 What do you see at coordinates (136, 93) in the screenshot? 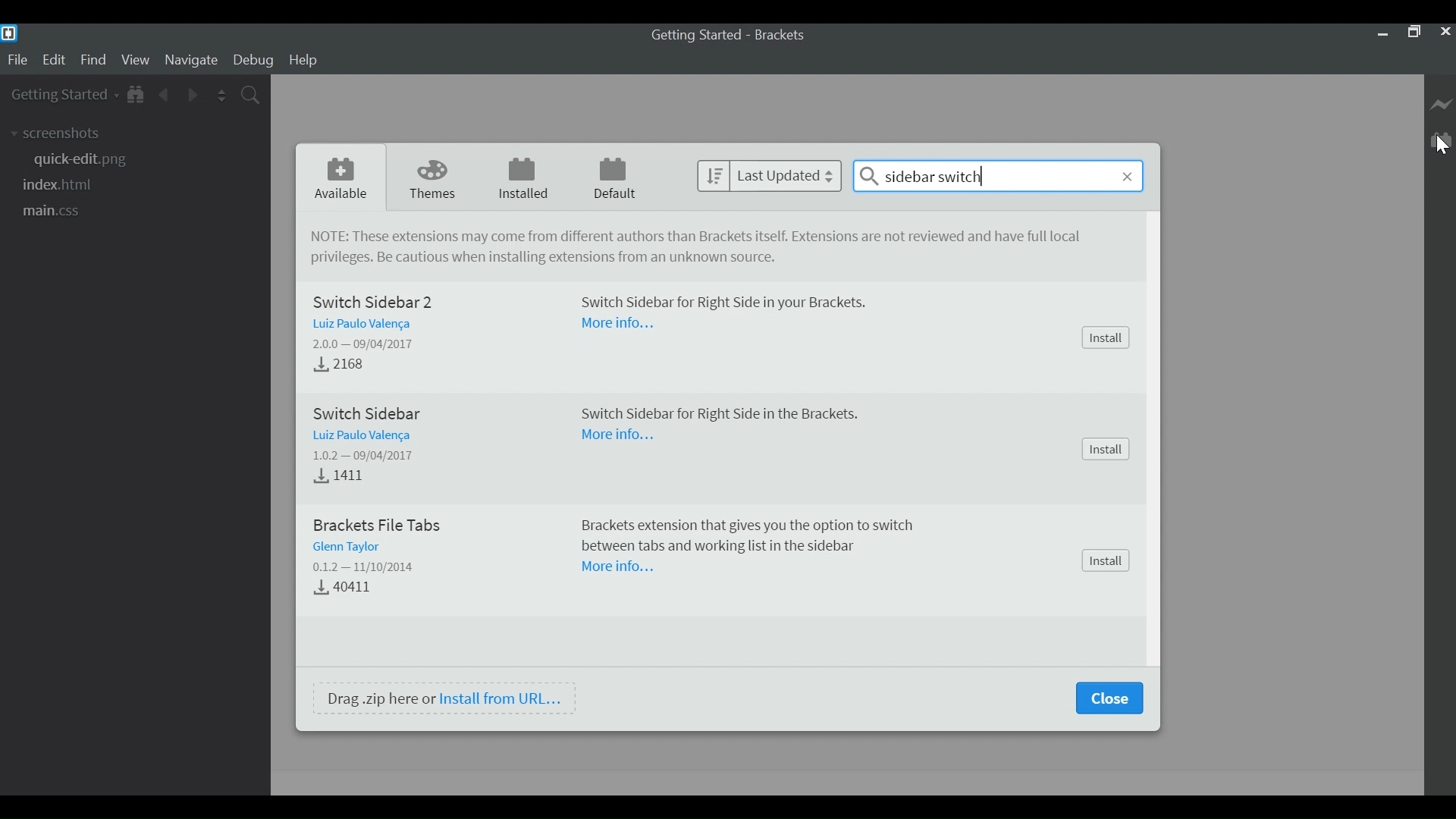
I see `Show in File Tree` at bounding box center [136, 93].